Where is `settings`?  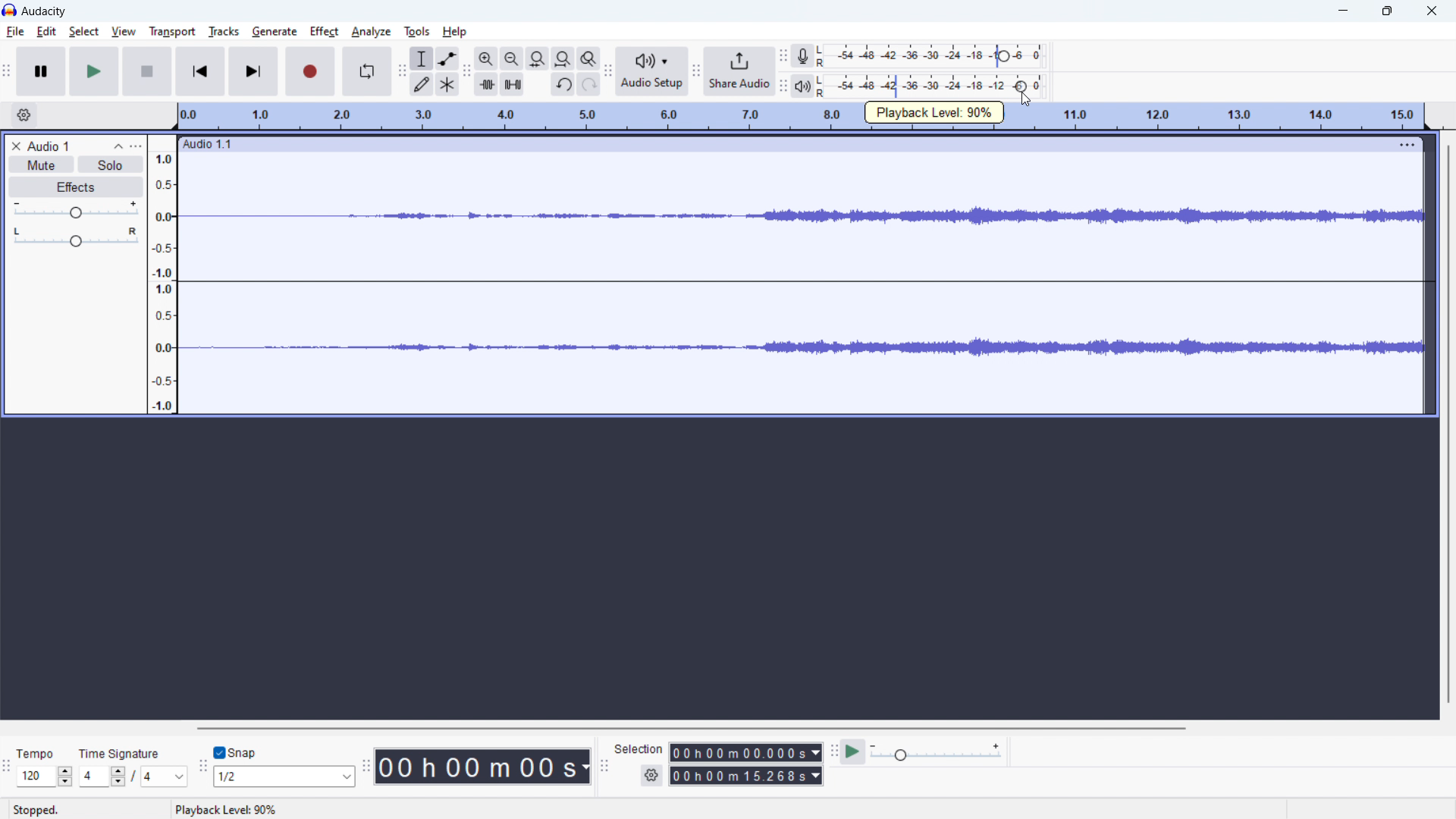
settings is located at coordinates (651, 776).